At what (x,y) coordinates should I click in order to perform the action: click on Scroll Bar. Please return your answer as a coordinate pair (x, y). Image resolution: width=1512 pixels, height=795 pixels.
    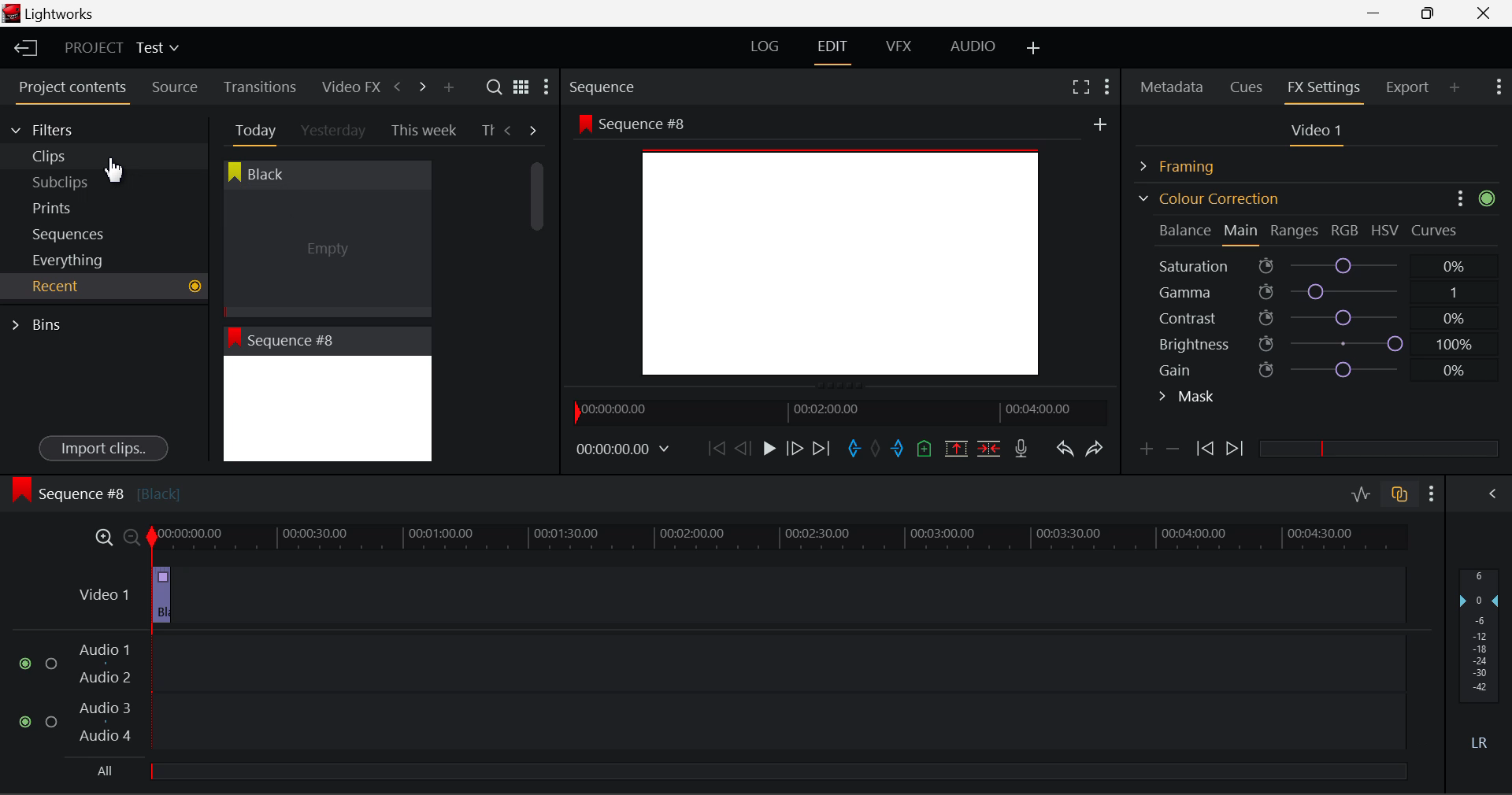
    Looking at the image, I should click on (547, 294).